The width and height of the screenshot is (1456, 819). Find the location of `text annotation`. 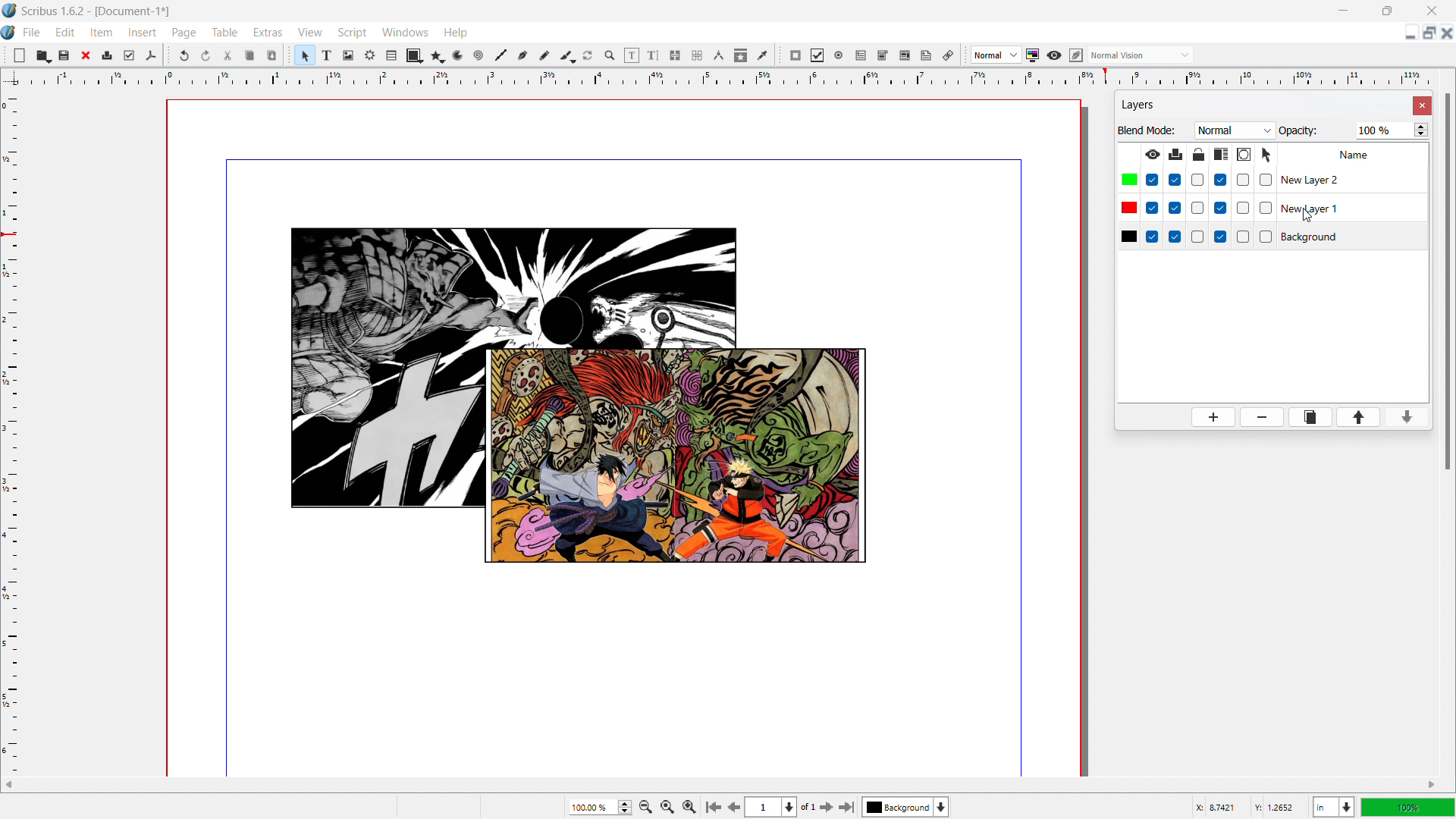

text annotation is located at coordinates (927, 55).